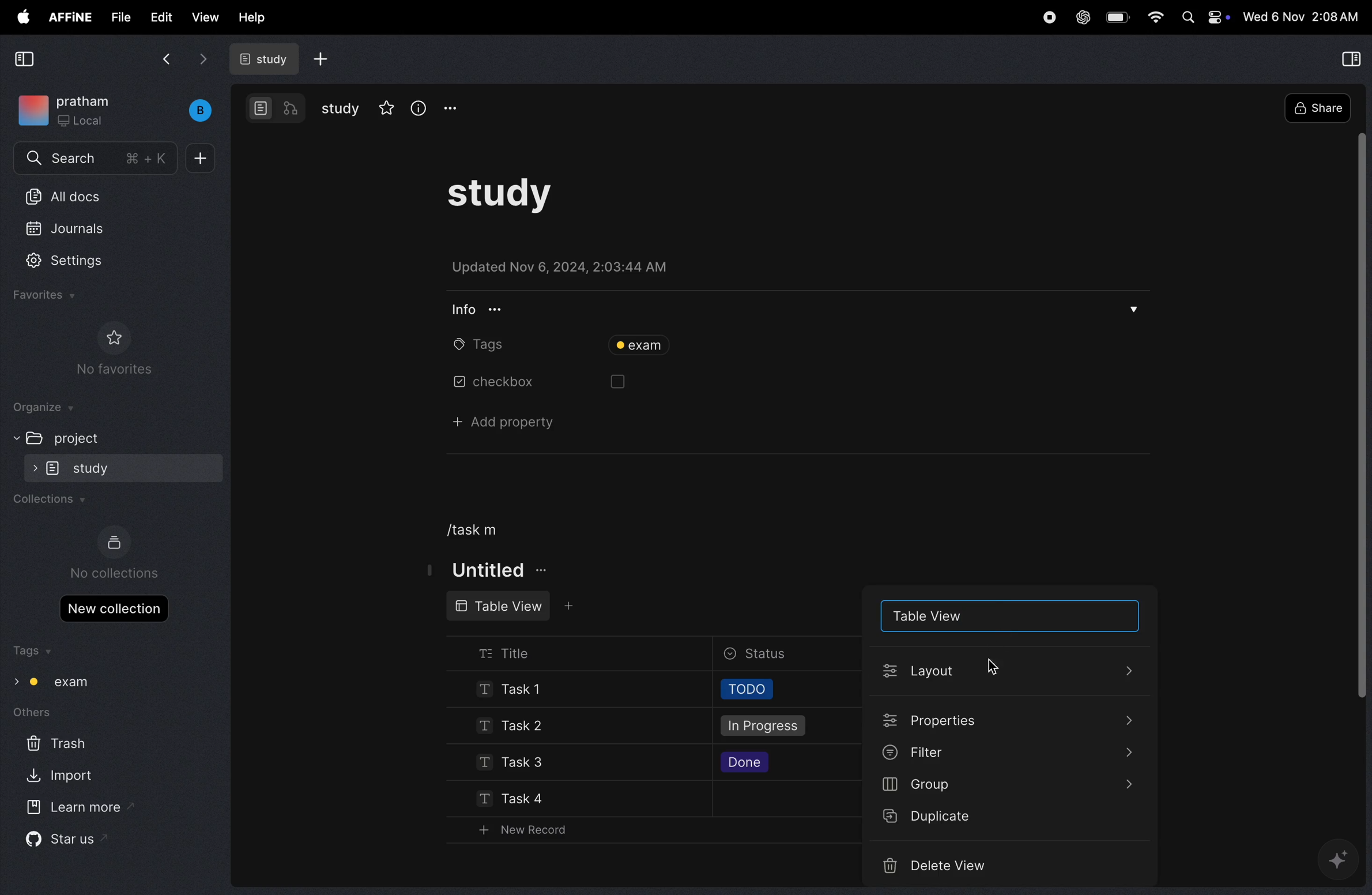  What do you see at coordinates (1115, 17) in the screenshot?
I see `battery` at bounding box center [1115, 17].